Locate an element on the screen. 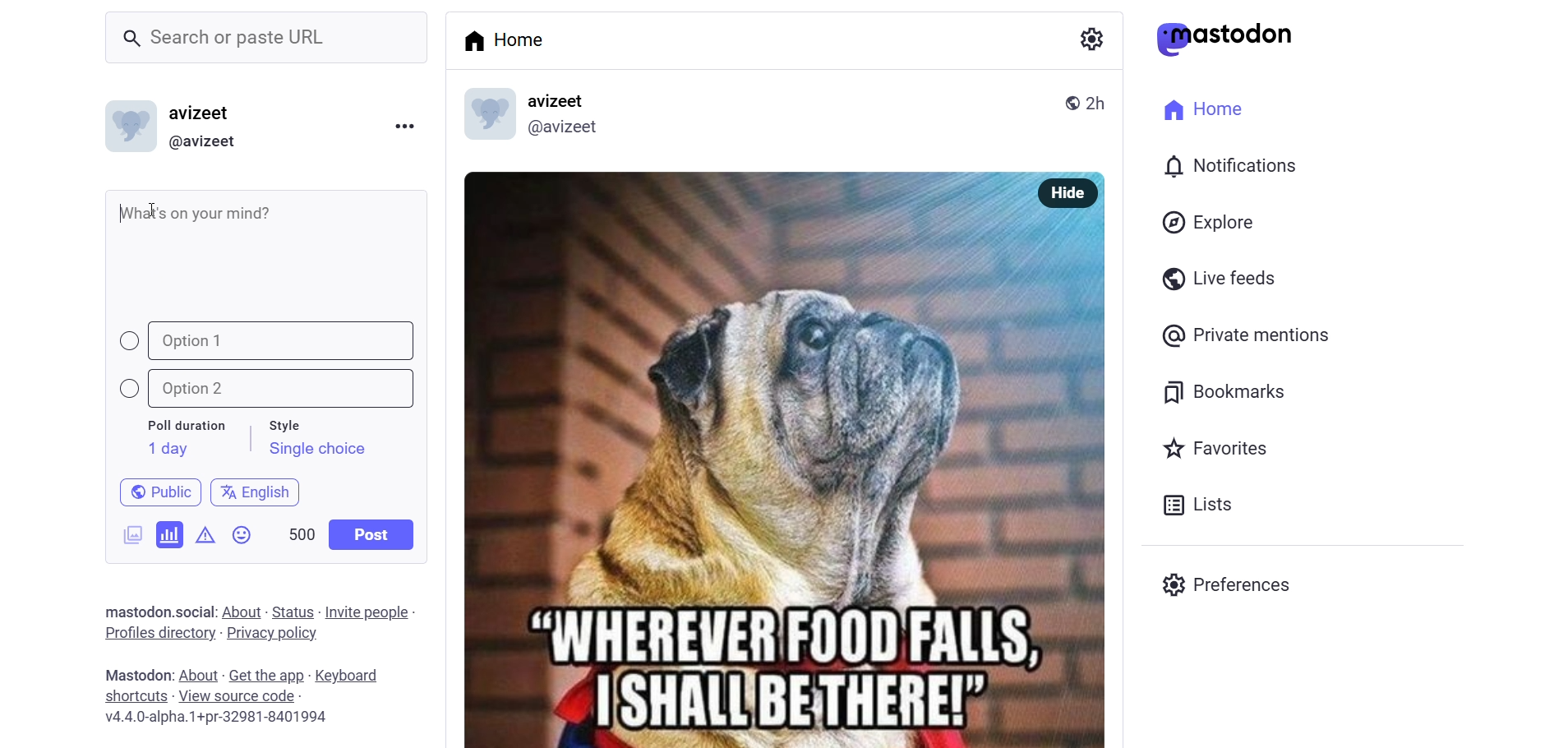  post is located at coordinates (373, 534).